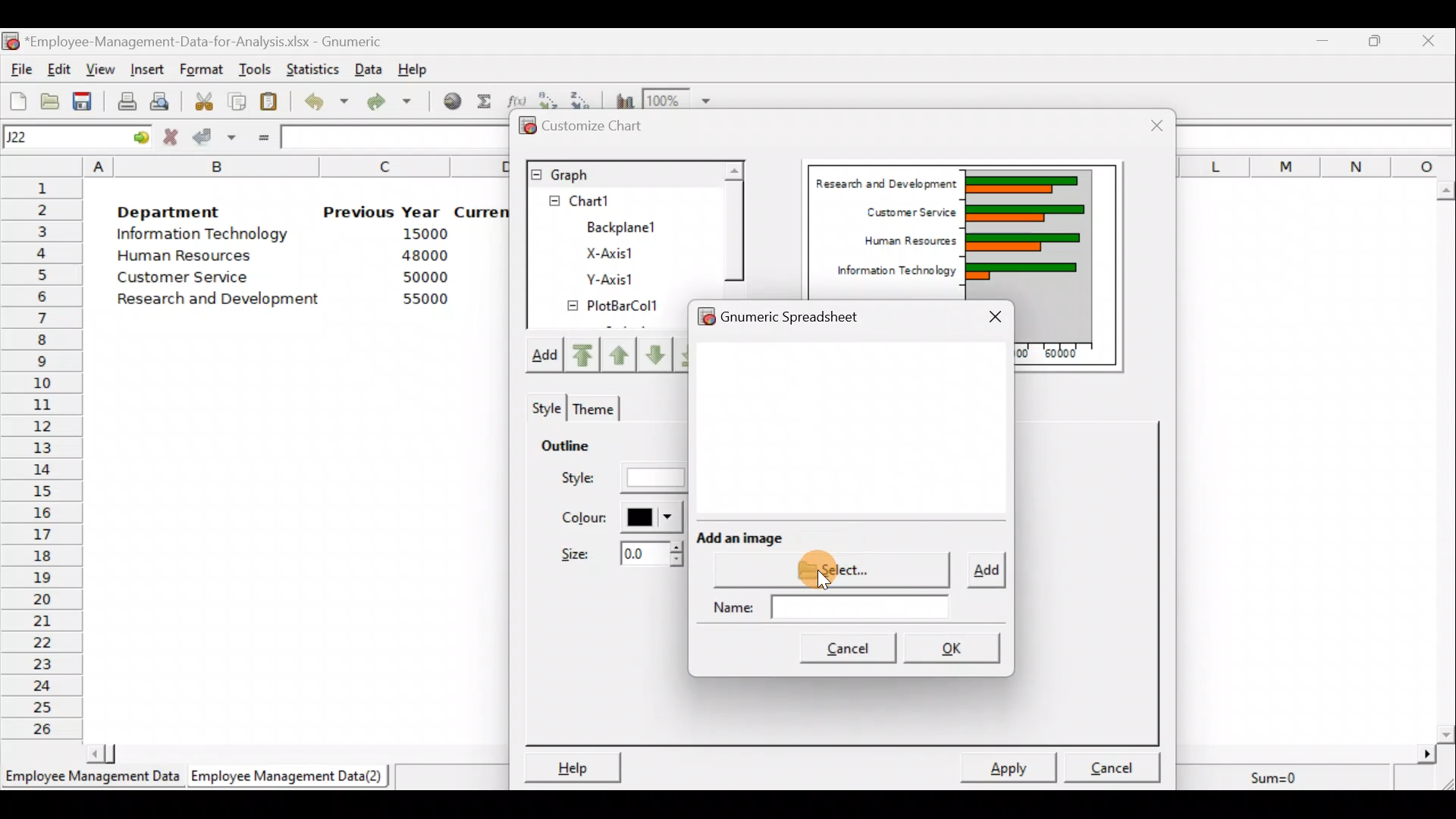 The width and height of the screenshot is (1456, 819). I want to click on X-axis1, so click(620, 251).